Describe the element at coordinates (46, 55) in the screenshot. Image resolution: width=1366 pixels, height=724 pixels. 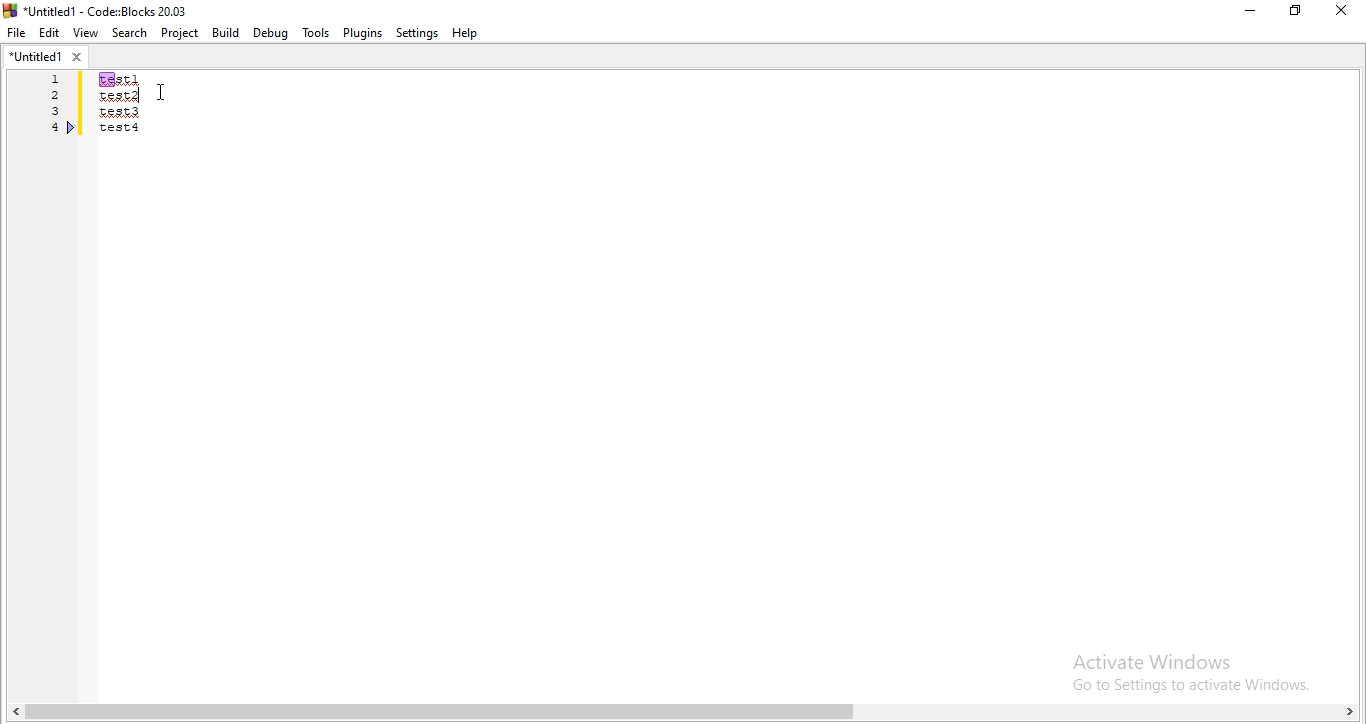
I see `untitled1` at that location.